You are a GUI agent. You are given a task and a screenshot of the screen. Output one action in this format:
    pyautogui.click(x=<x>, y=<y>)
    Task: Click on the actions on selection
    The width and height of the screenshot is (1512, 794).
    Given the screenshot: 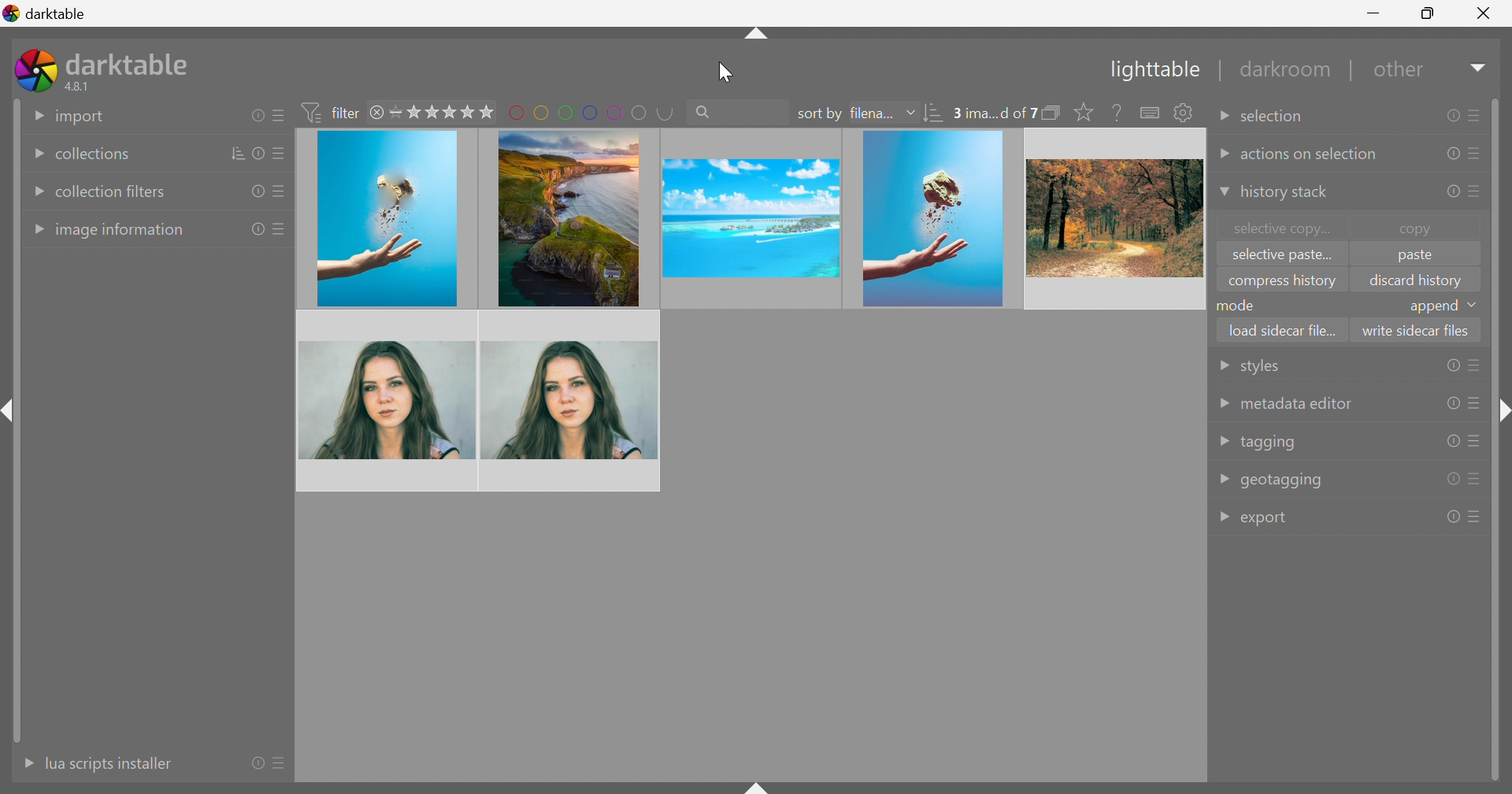 What is the action you would take?
    pyautogui.click(x=1310, y=155)
    